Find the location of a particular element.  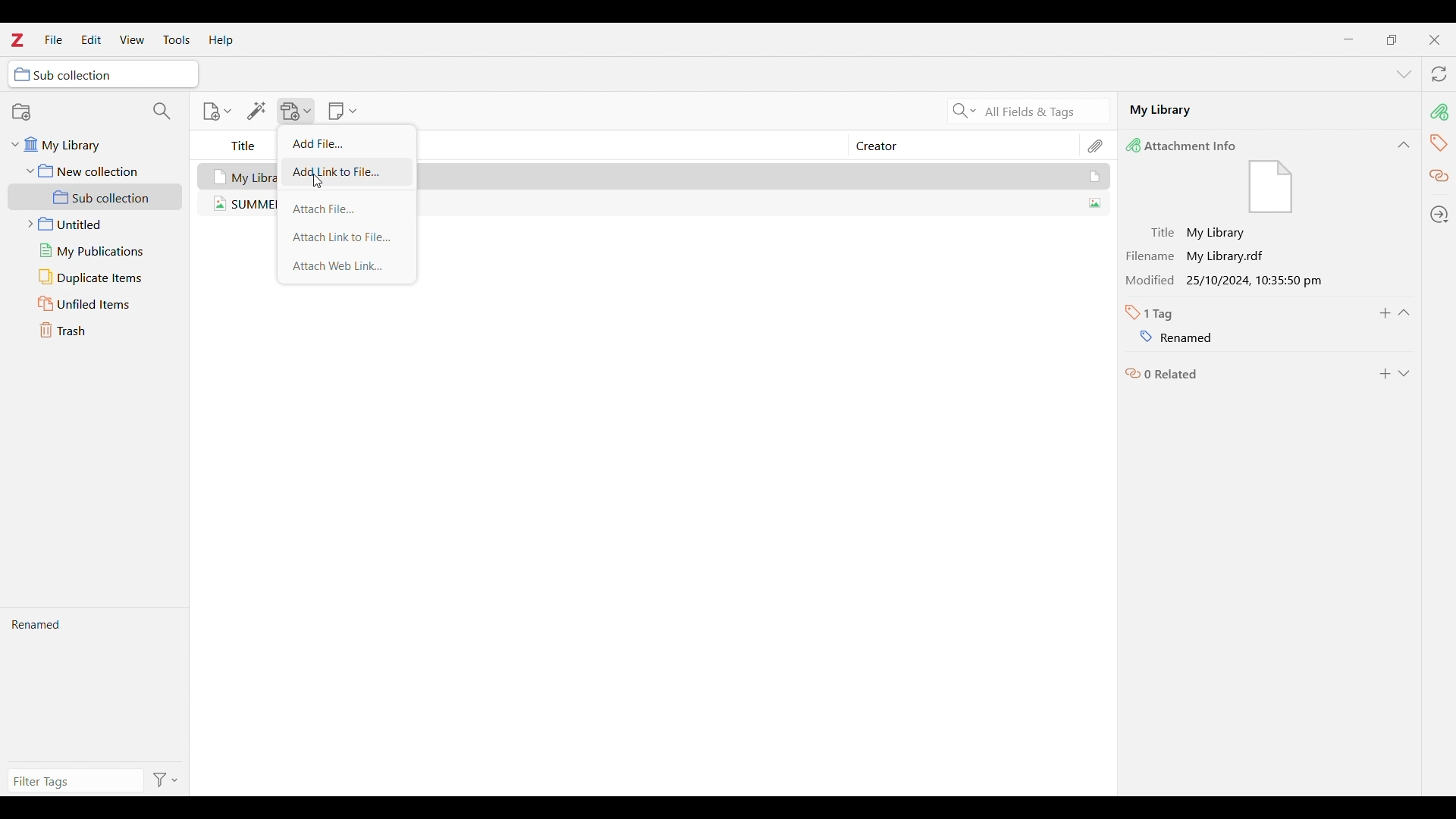

Name of tag is located at coordinates (1167, 335).